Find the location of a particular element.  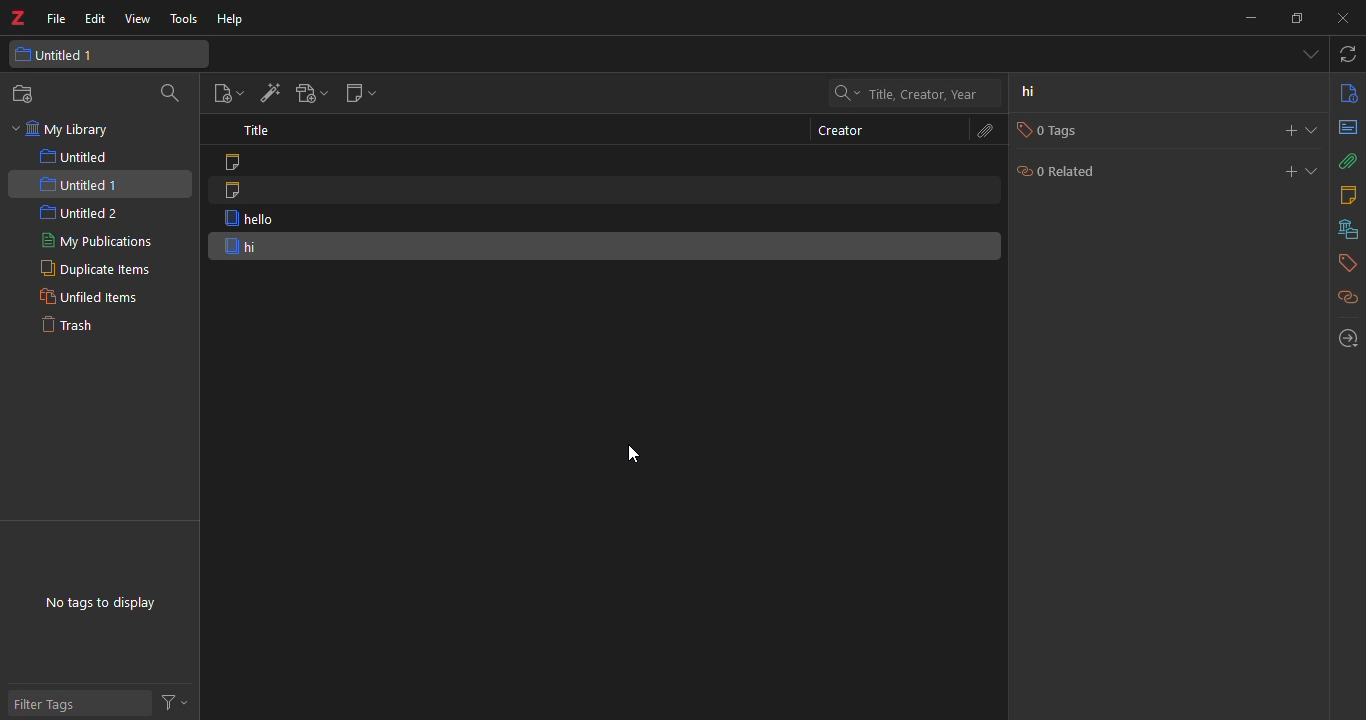

actions is located at coordinates (173, 699).